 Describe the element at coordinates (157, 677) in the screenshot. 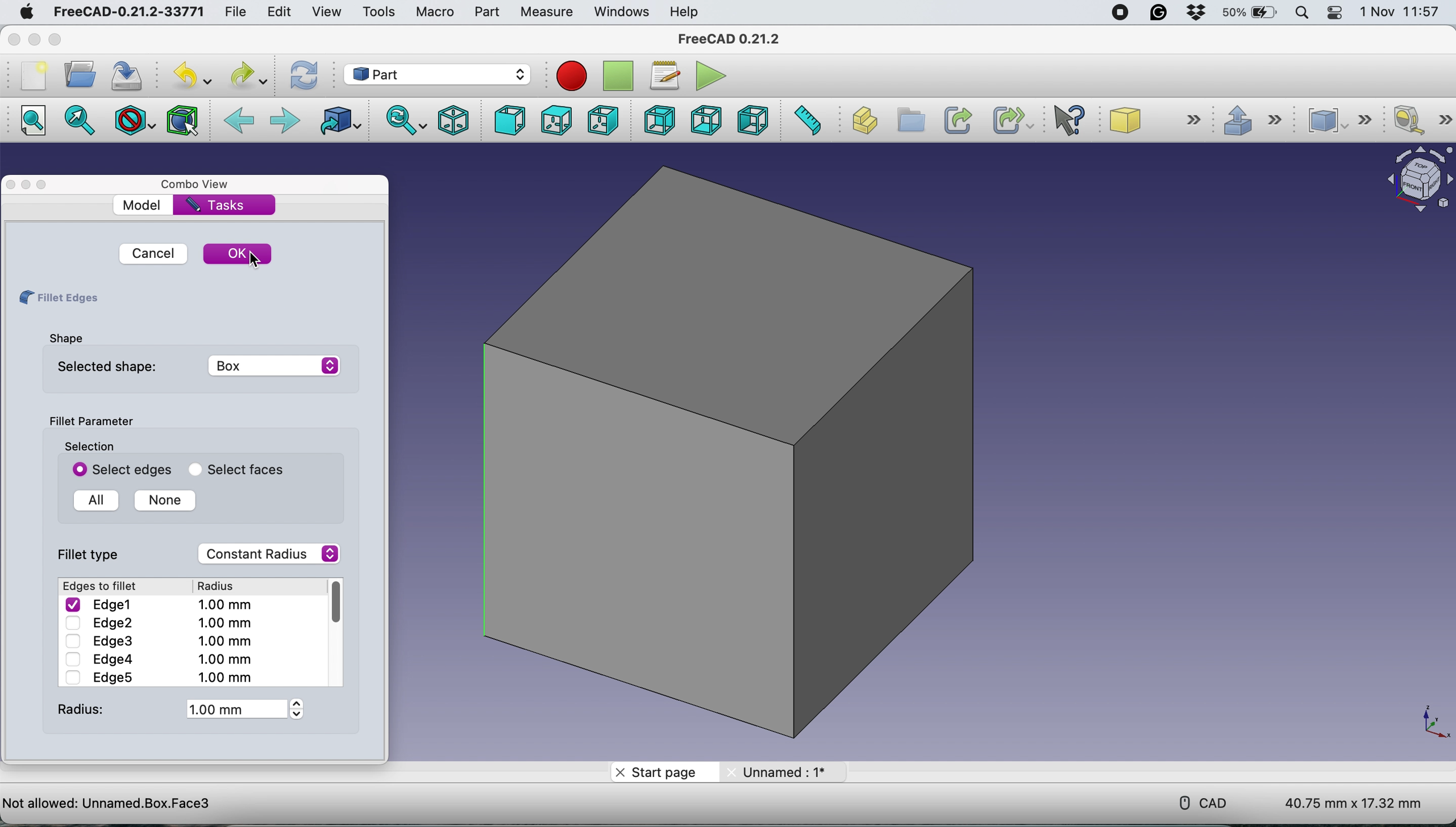

I see `Edge5` at that location.